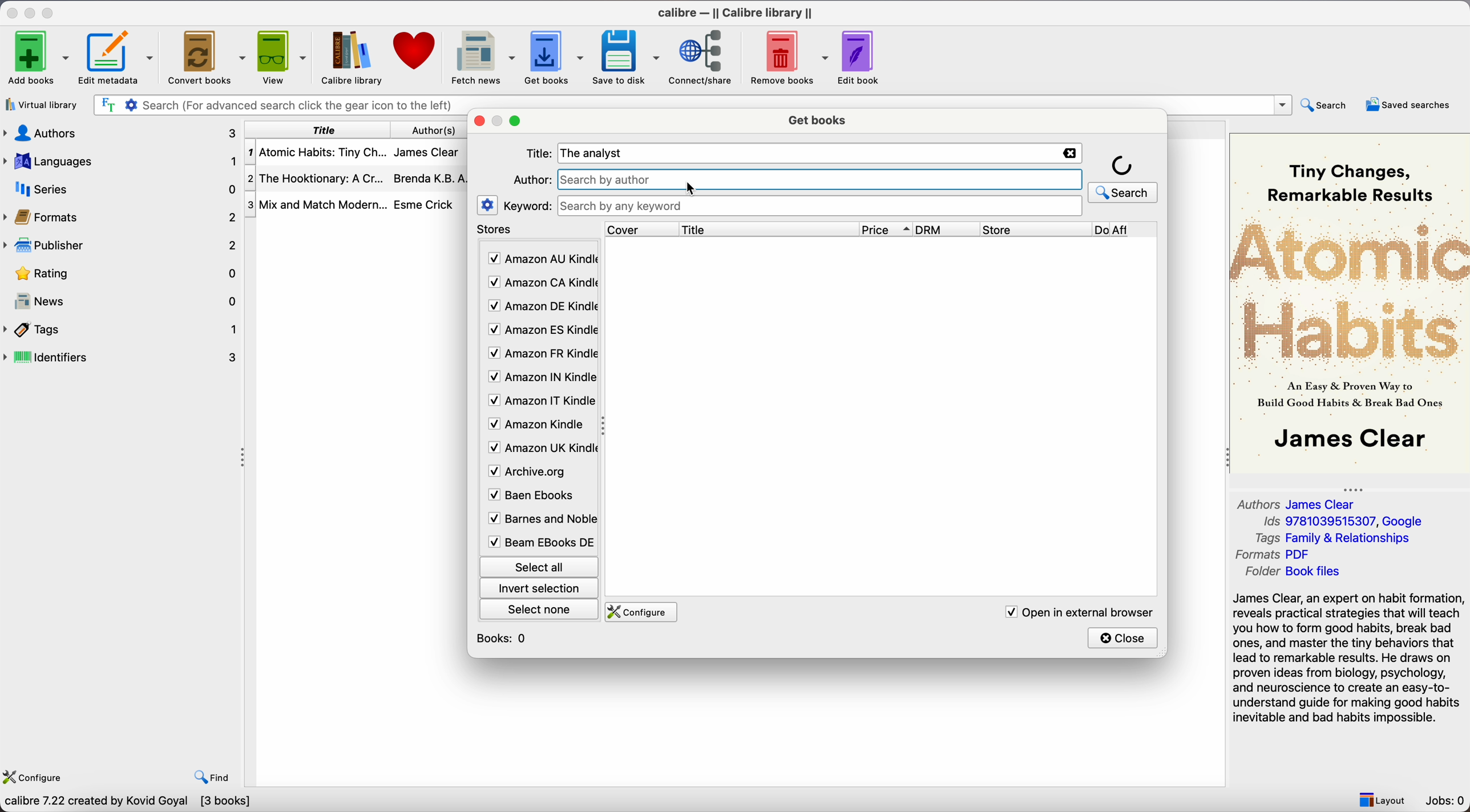 The image size is (1470, 812). What do you see at coordinates (734, 11) in the screenshot?
I see `Calibre - || Calibre library ||` at bounding box center [734, 11].